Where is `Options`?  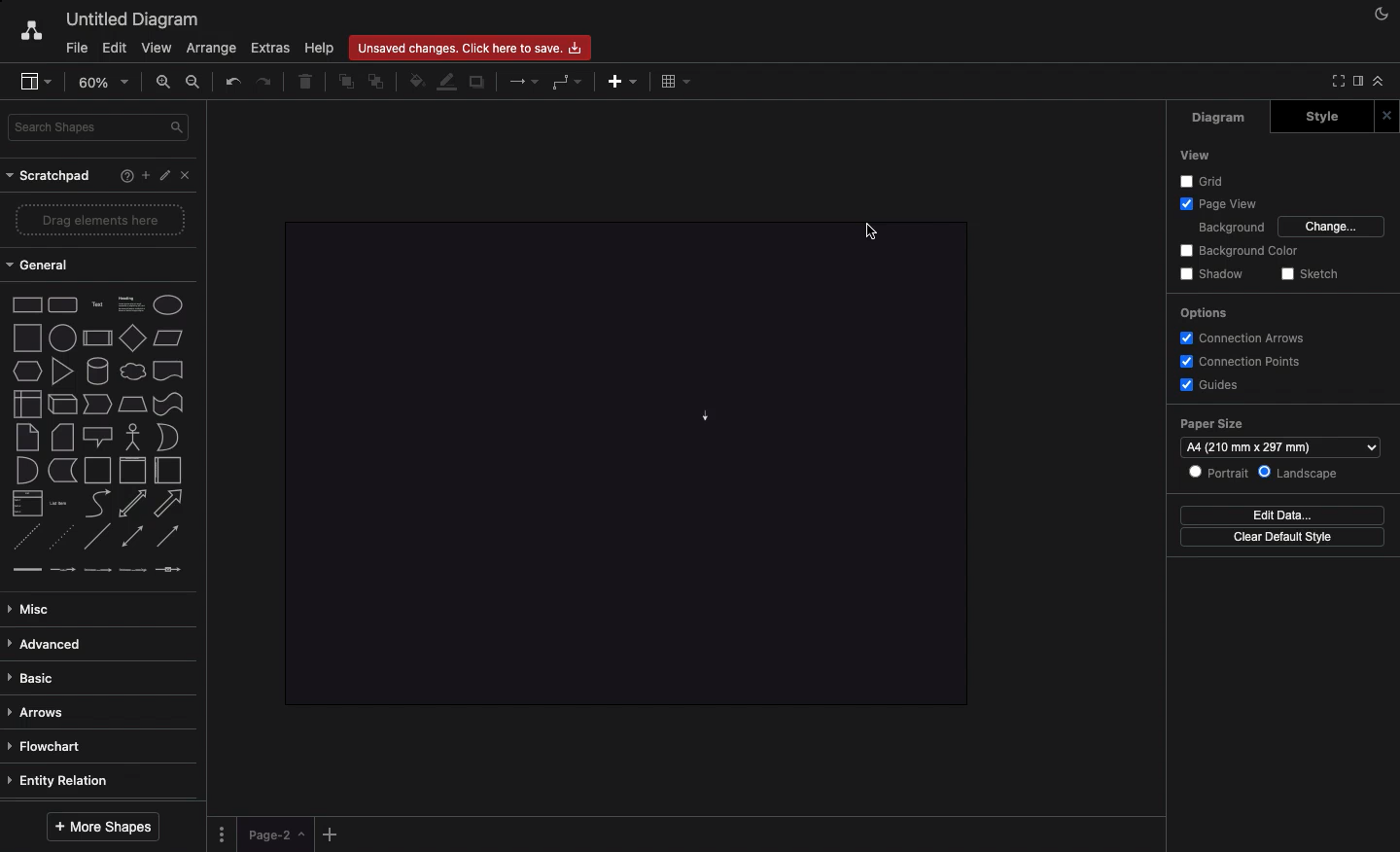
Options is located at coordinates (1203, 315).